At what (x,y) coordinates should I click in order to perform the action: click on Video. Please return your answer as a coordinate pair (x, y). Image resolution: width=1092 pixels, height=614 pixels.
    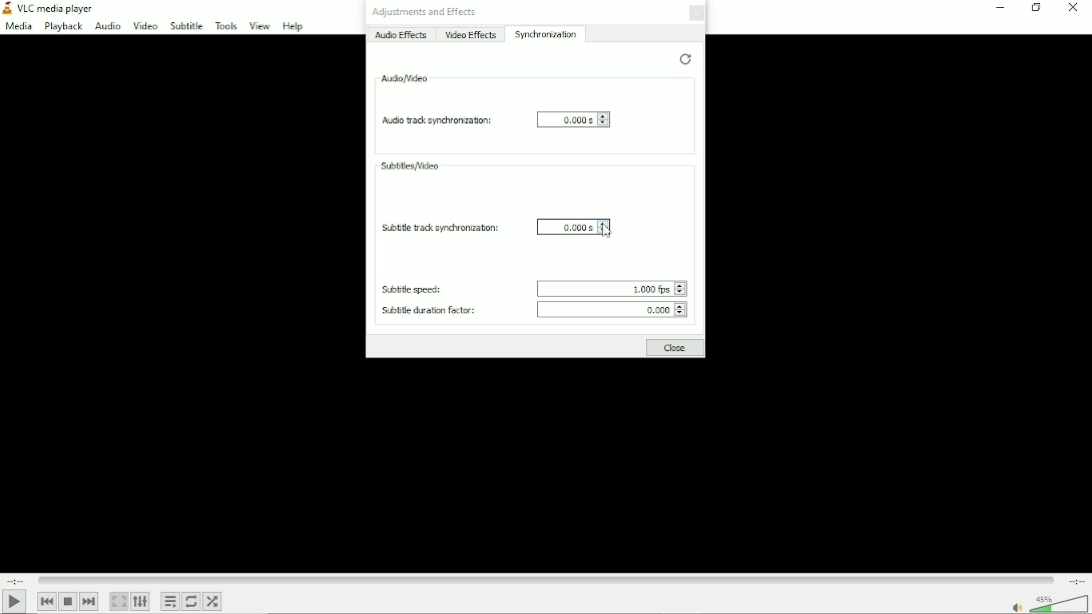
    Looking at the image, I should click on (143, 24).